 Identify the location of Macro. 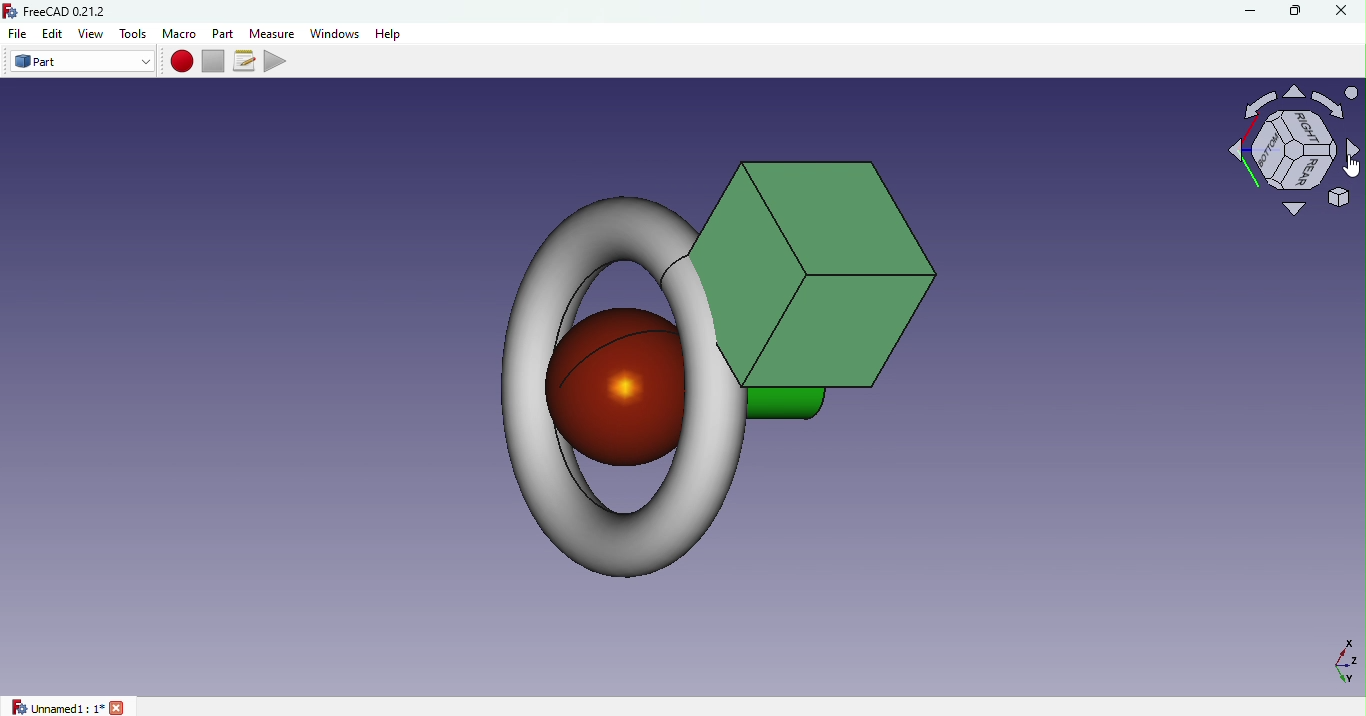
(181, 33).